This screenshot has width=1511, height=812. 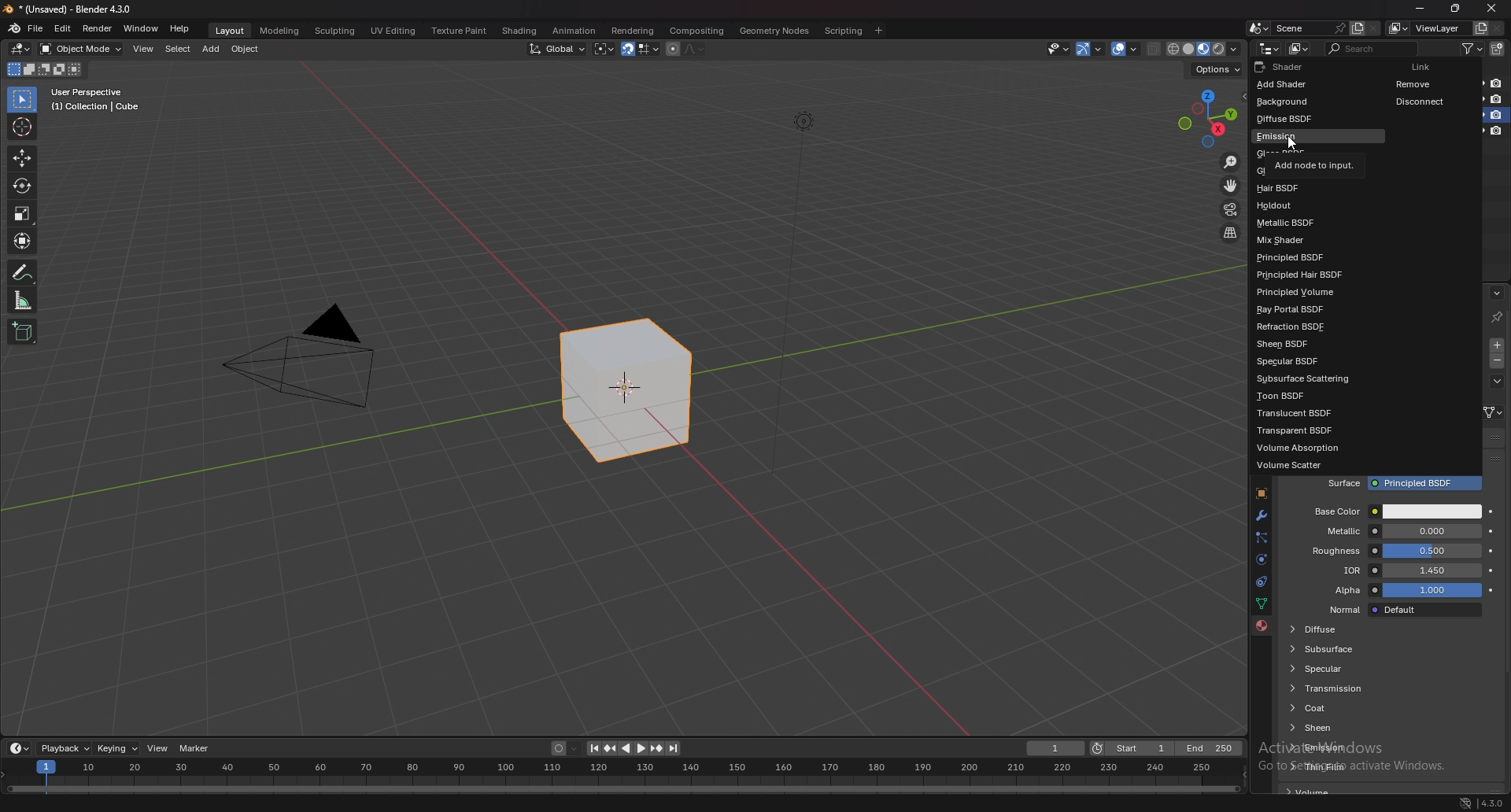 What do you see at coordinates (696, 31) in the screenshot?
I see `compositing` at bounding box center [696, 31].